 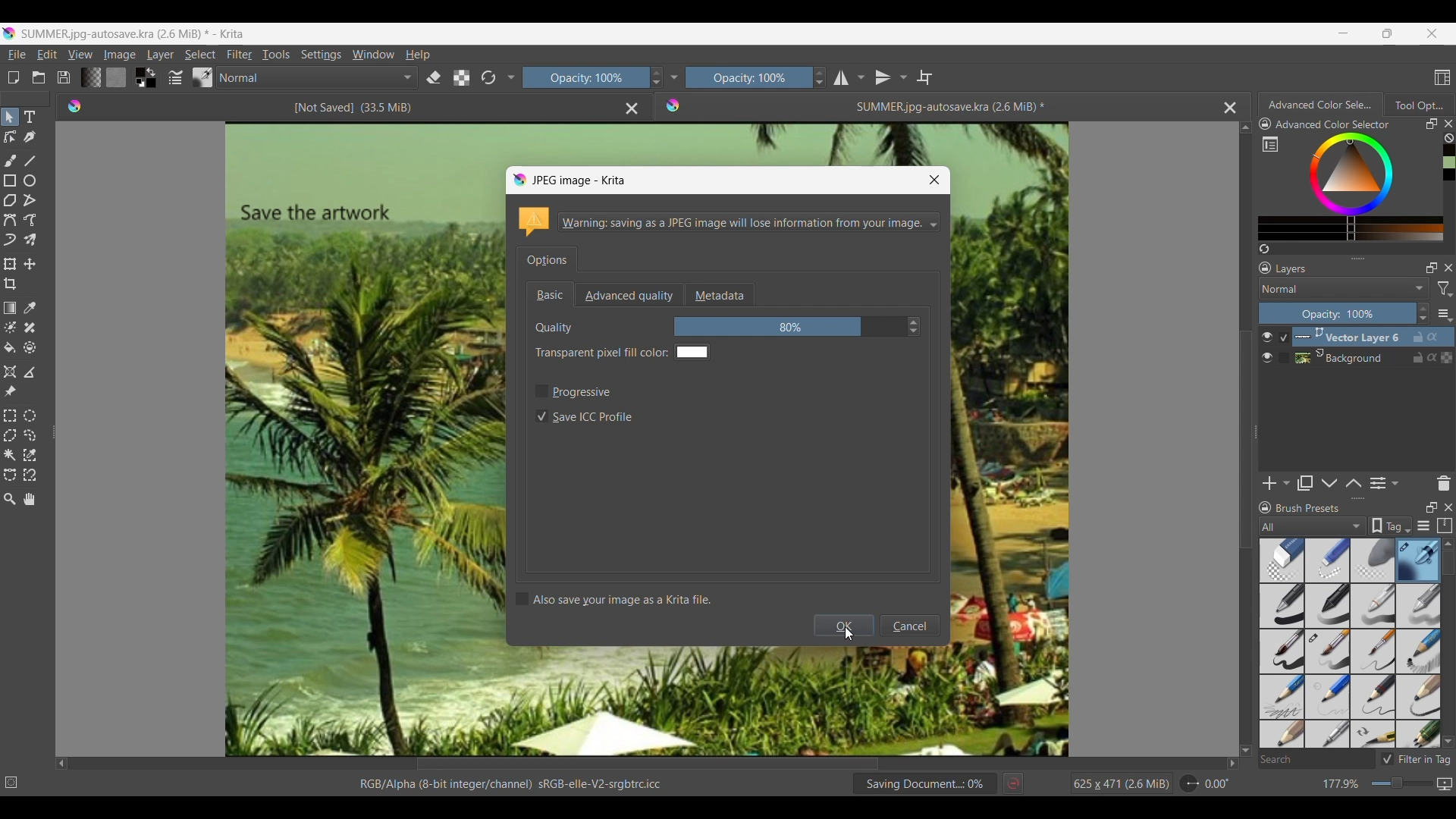 I want to click on Create new document, so click(x=14, y=77).